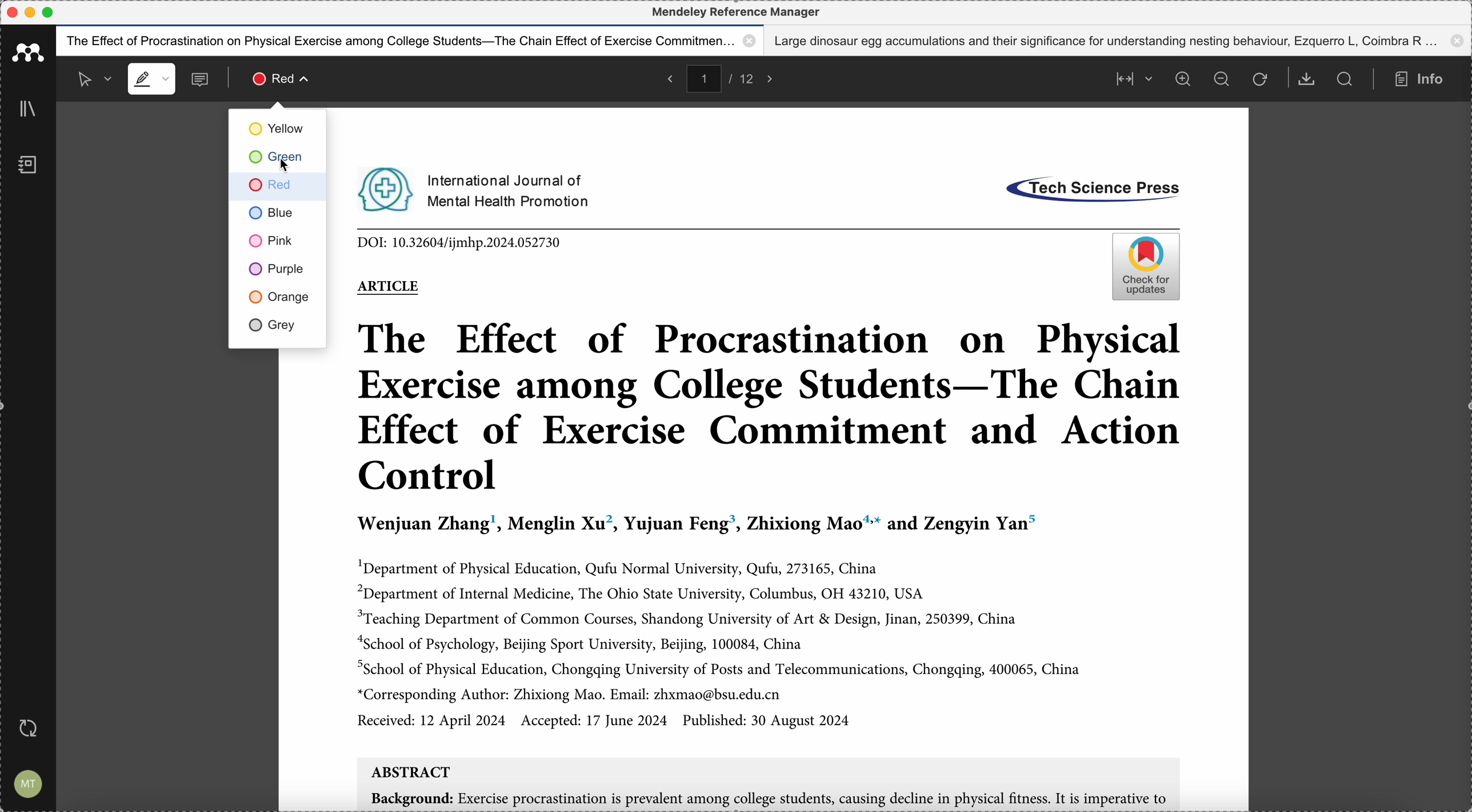 The height and width of the screenshot is (812, 1472). What do you see at coordinates (274, 78) in the screenshot?
I see `click on highlight color` at bounding box center [274, 78].